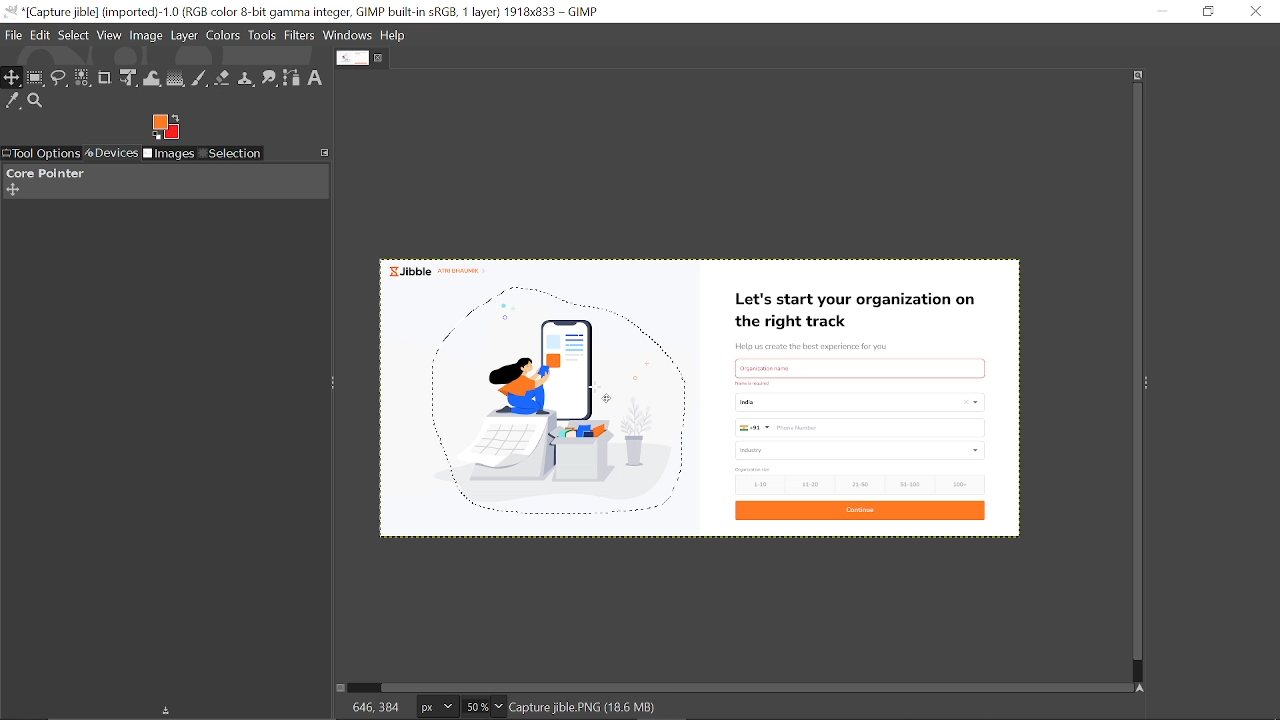 The height and width of the screenshot is (720, 1280). What do you see at coordinates (1134, 77) in the screenshot?
I see `Zoom when window size changes` at bounding box center [1134, 77].